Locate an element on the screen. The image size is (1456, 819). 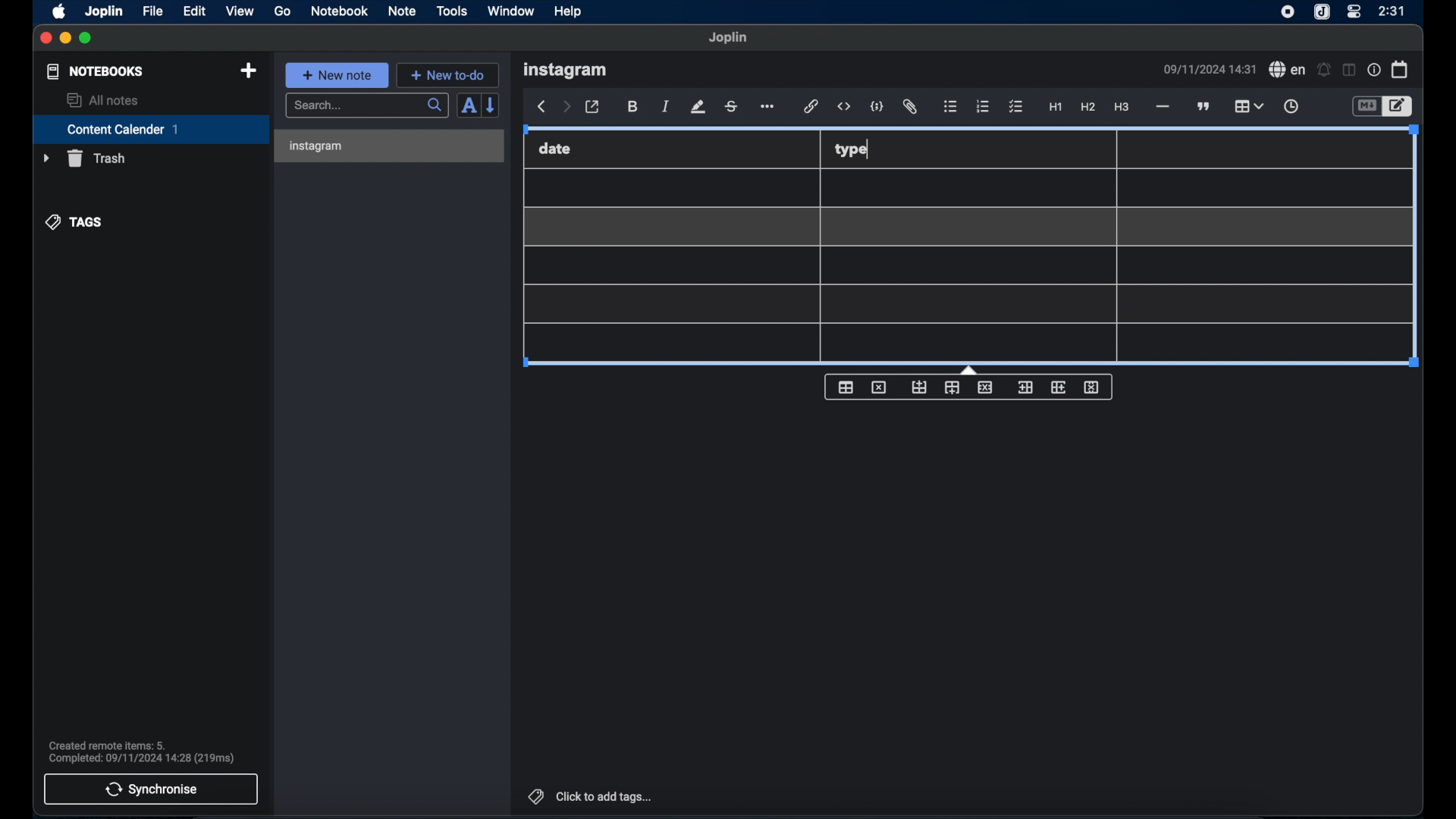
insert time is located at coordinates (1292, 106).